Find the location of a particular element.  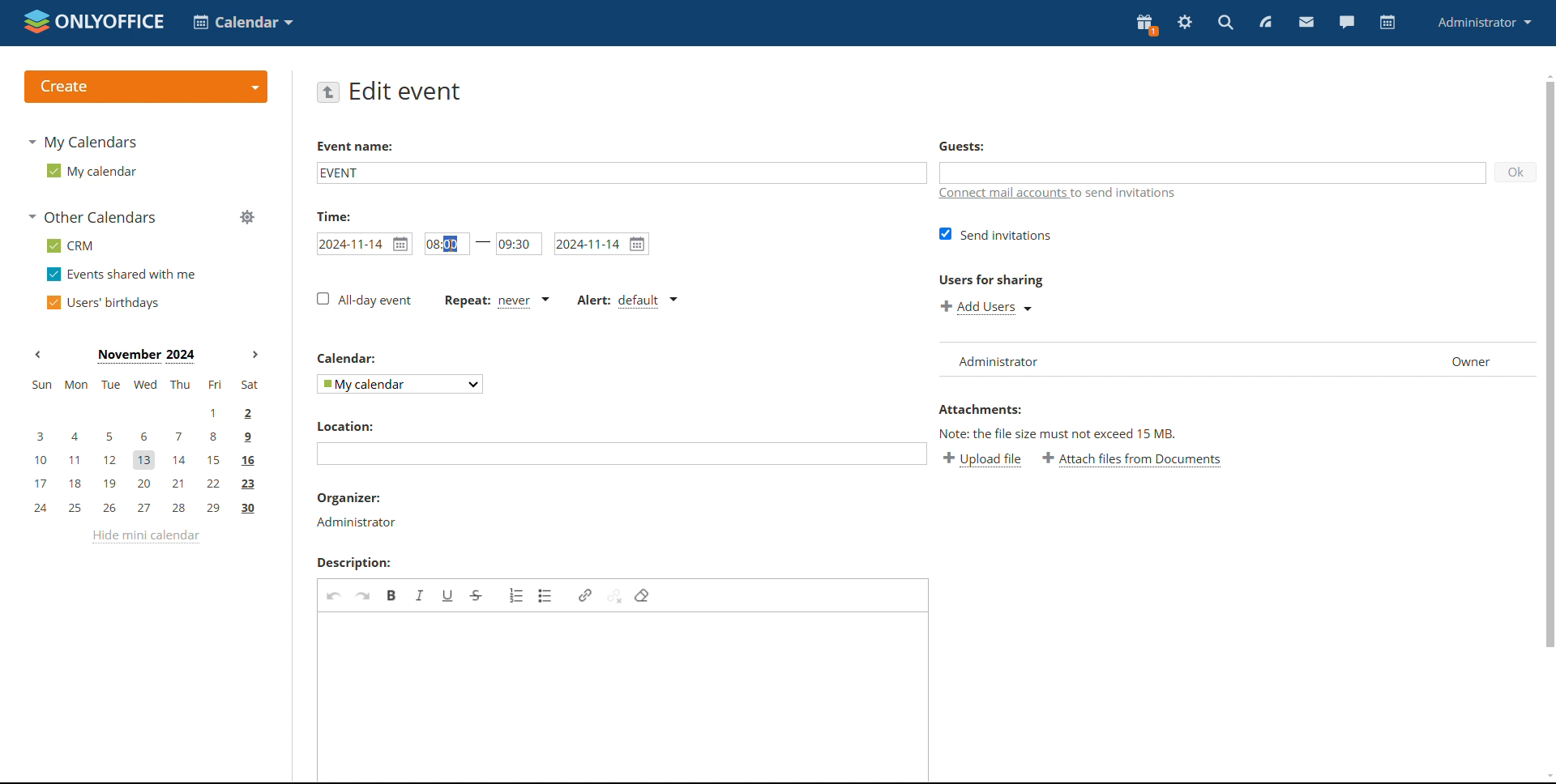

add guests is located at coordinates (1213, 173).